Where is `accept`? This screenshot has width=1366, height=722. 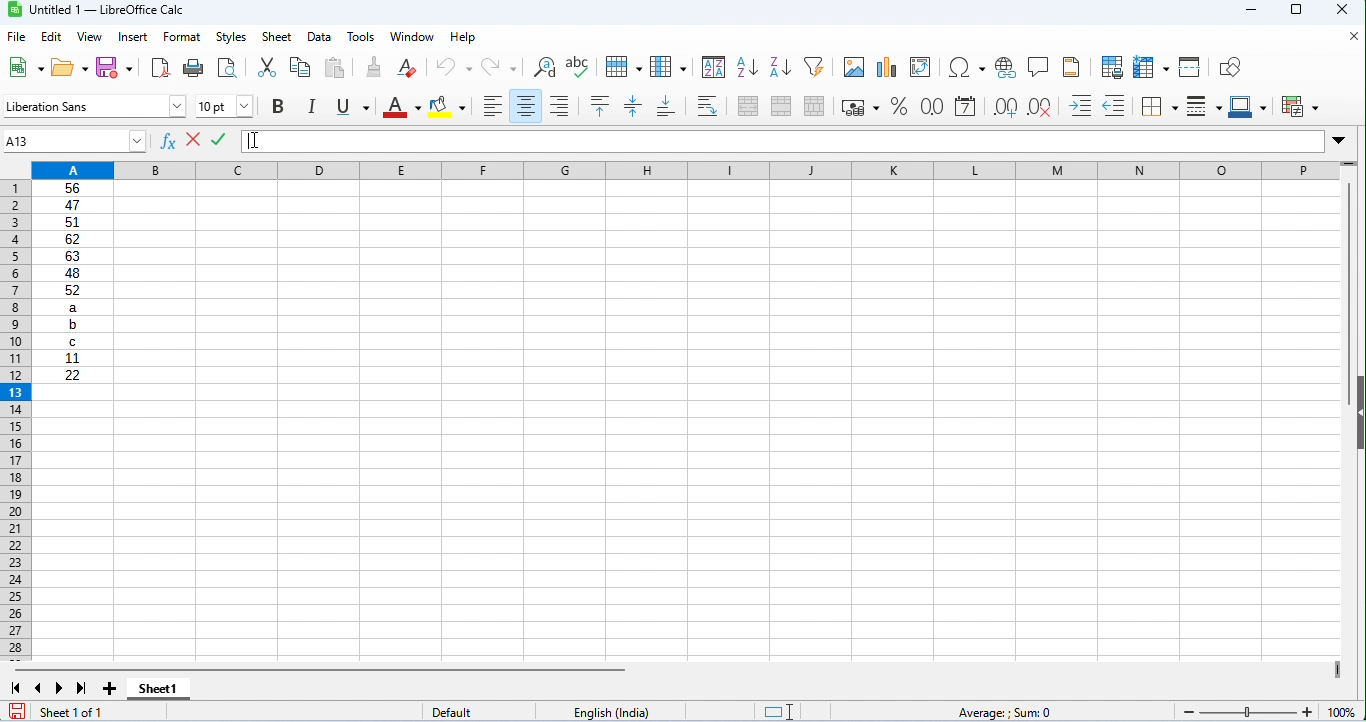
accept is located at coordinates (218, 139).